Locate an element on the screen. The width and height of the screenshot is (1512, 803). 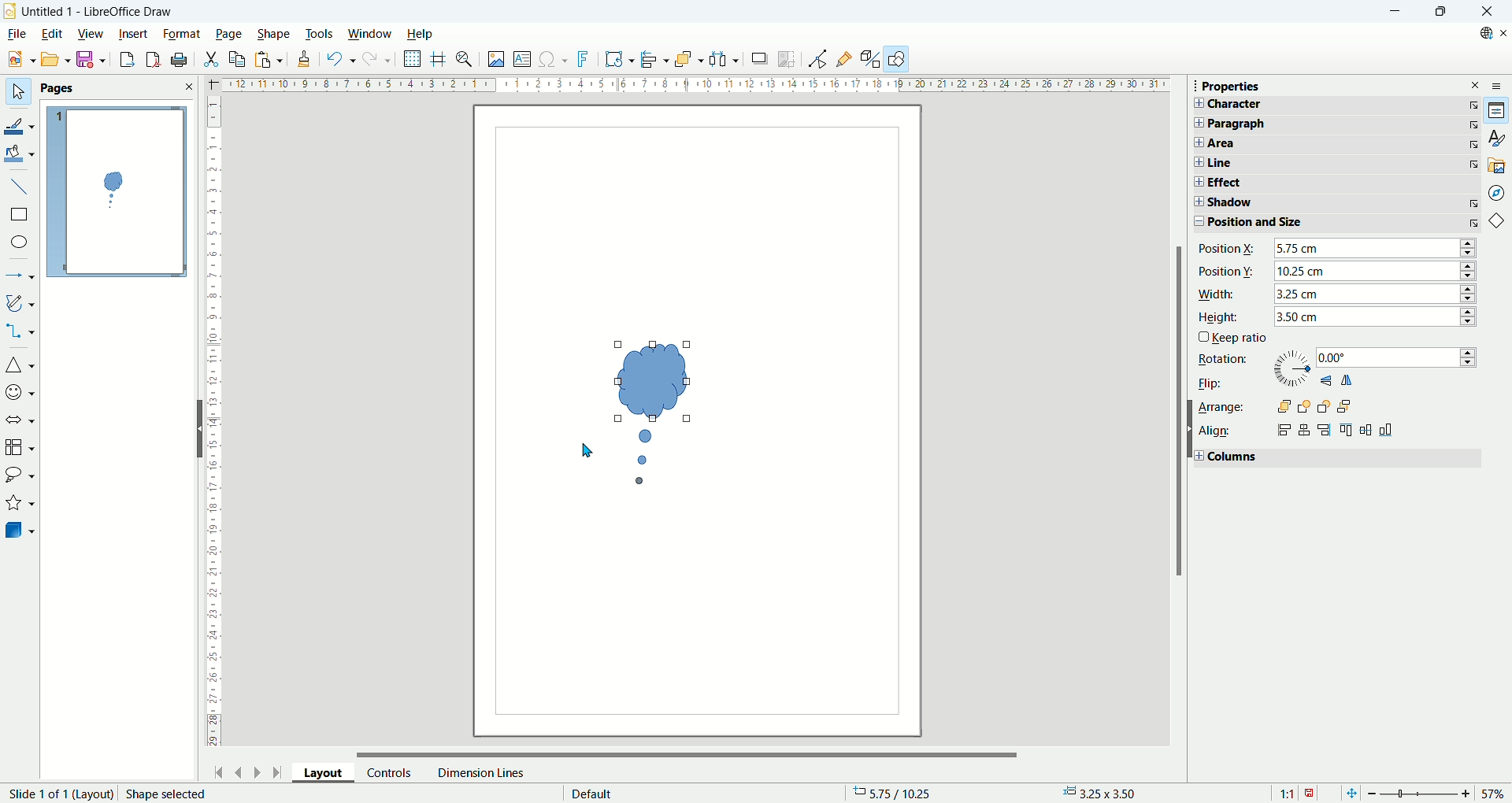
arrange is located at coordinates (691, 61).